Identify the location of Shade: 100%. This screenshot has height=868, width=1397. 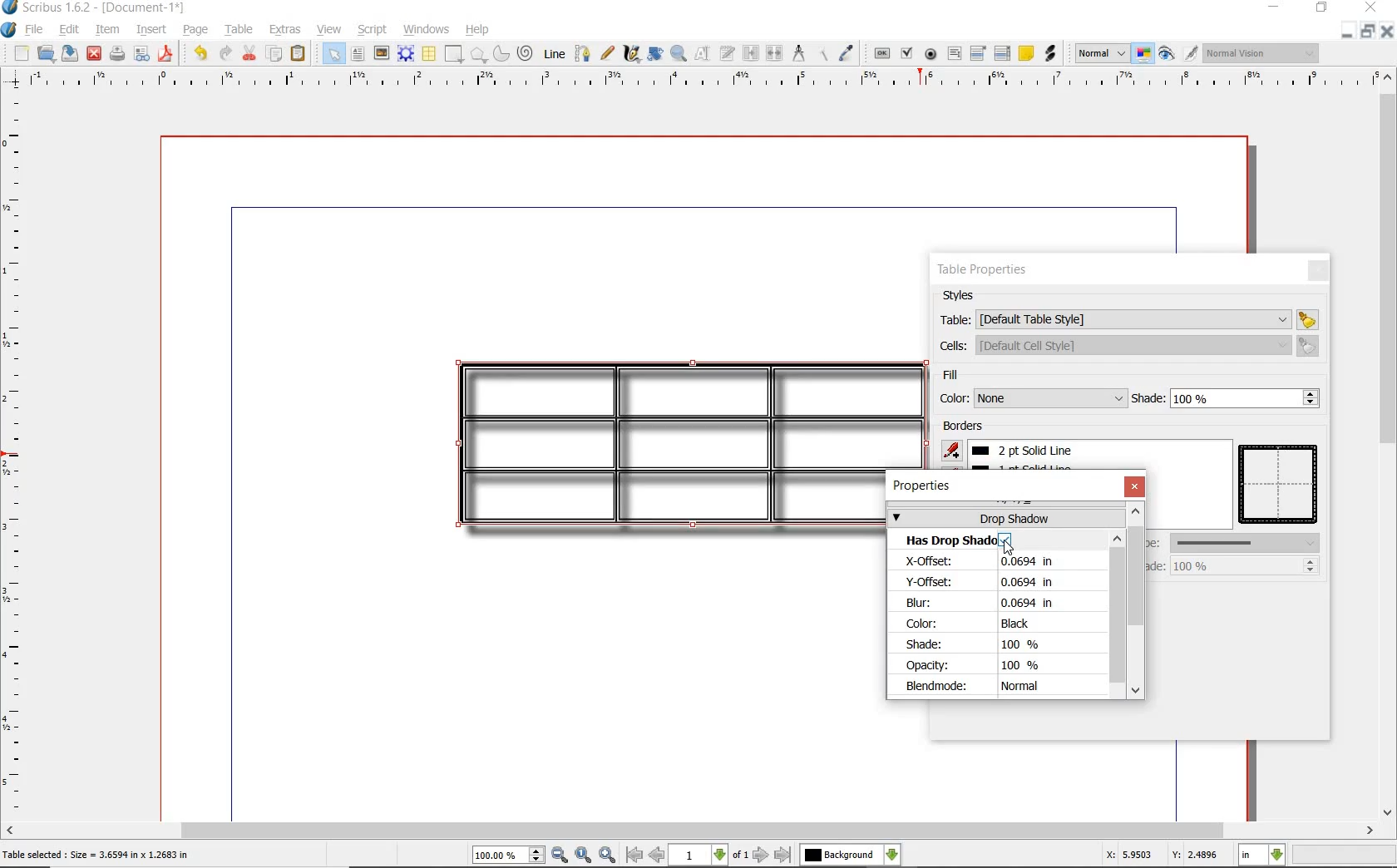
(979, 645).